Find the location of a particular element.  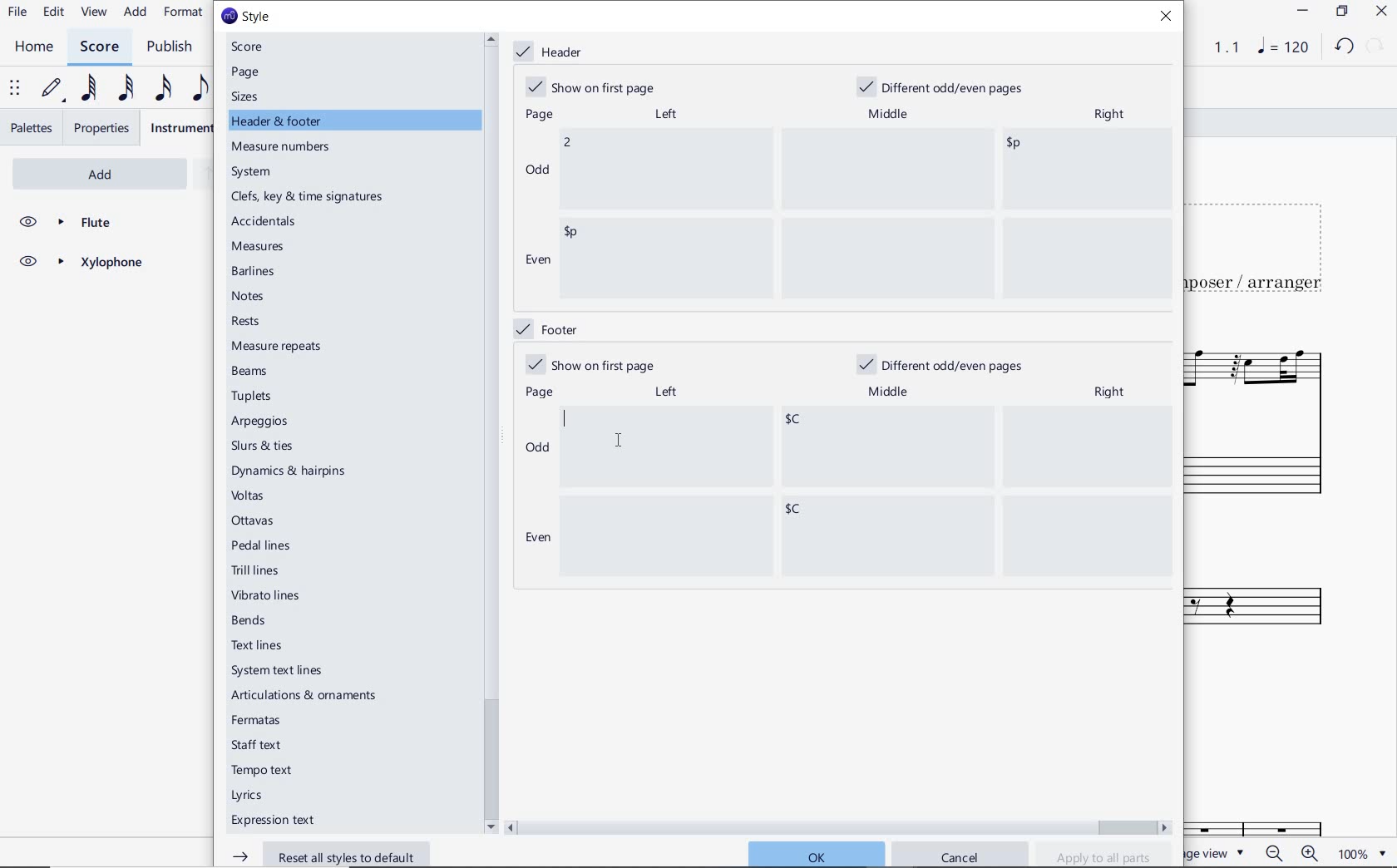

right is located at coordinates (1113, 392).